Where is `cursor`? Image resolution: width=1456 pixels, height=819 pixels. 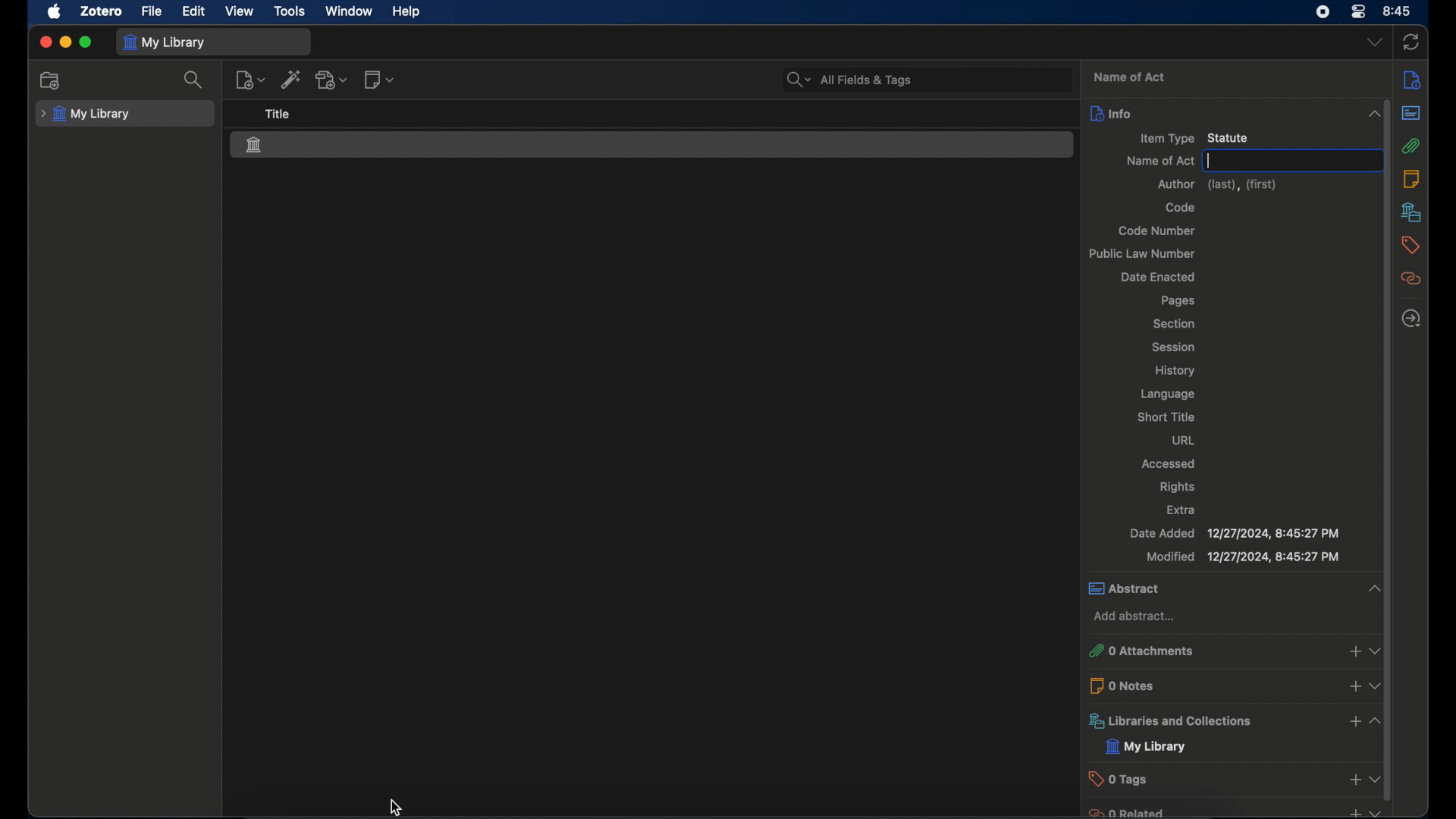
cursor is located at coordinates (394, 808).